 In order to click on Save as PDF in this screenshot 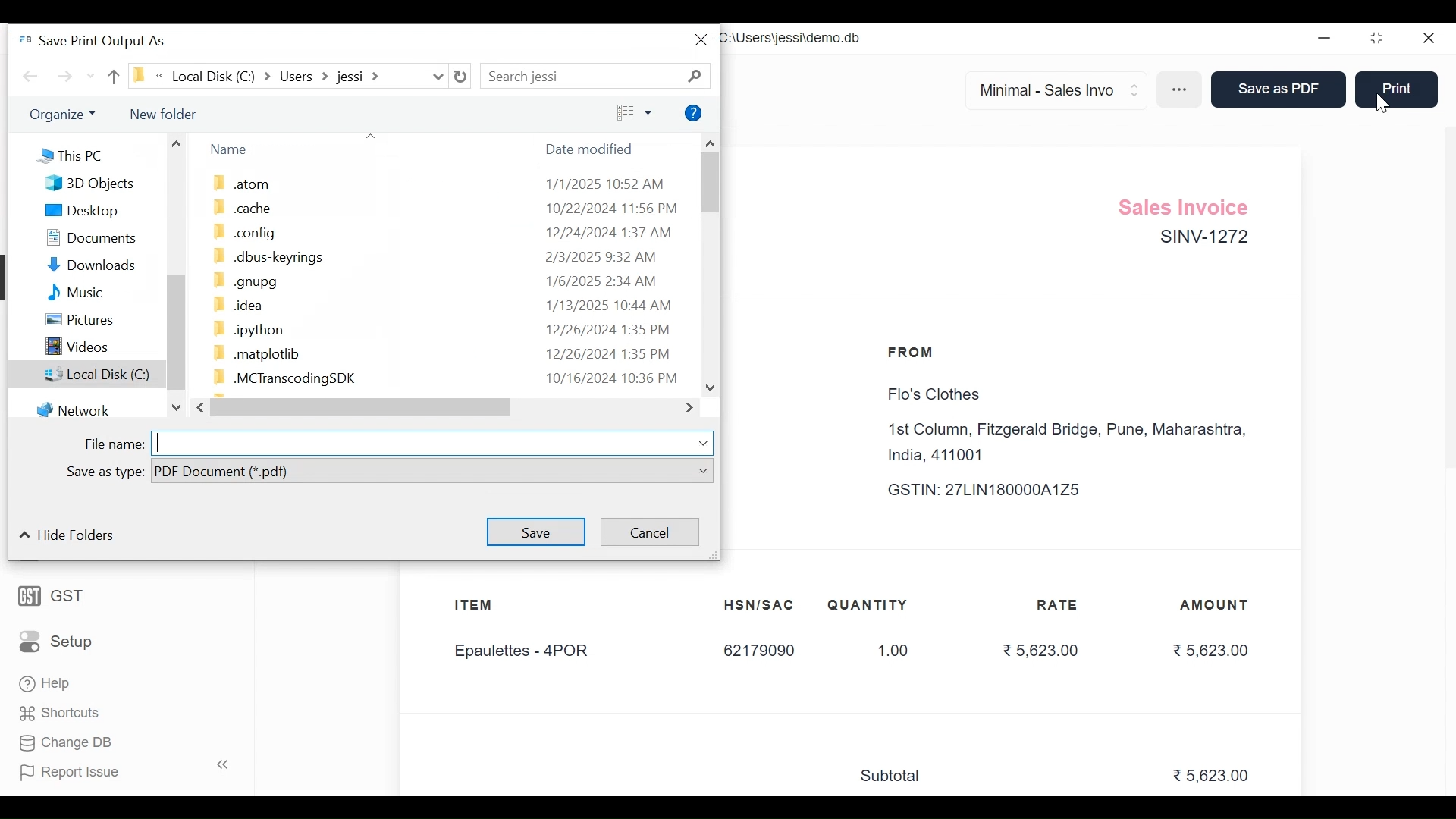, I will do `click(1276, 90)`.